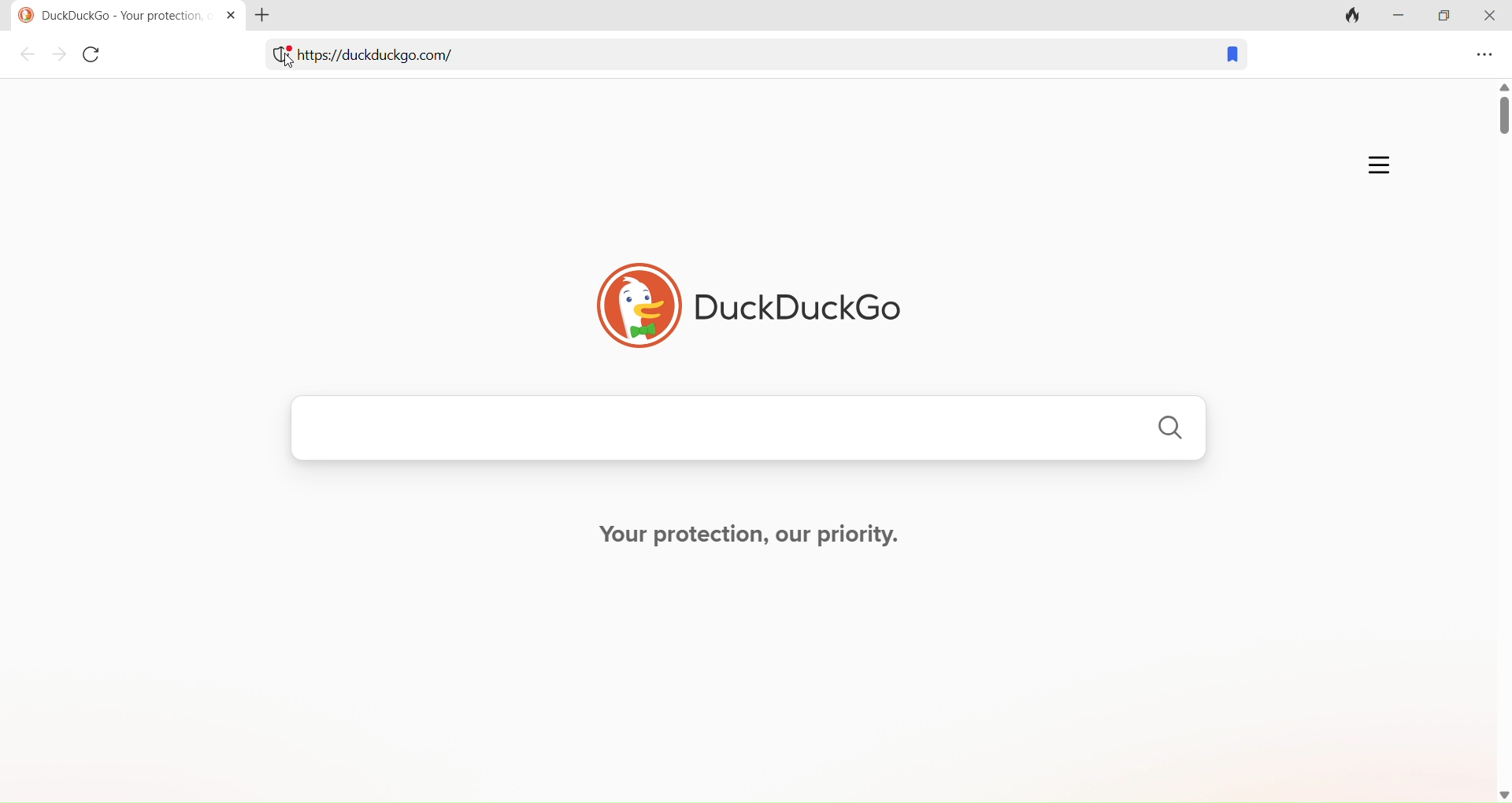  What do you see at coordinates (287, 61) in the screenshot?
I see `cursor` at bounding box center [287, 61].